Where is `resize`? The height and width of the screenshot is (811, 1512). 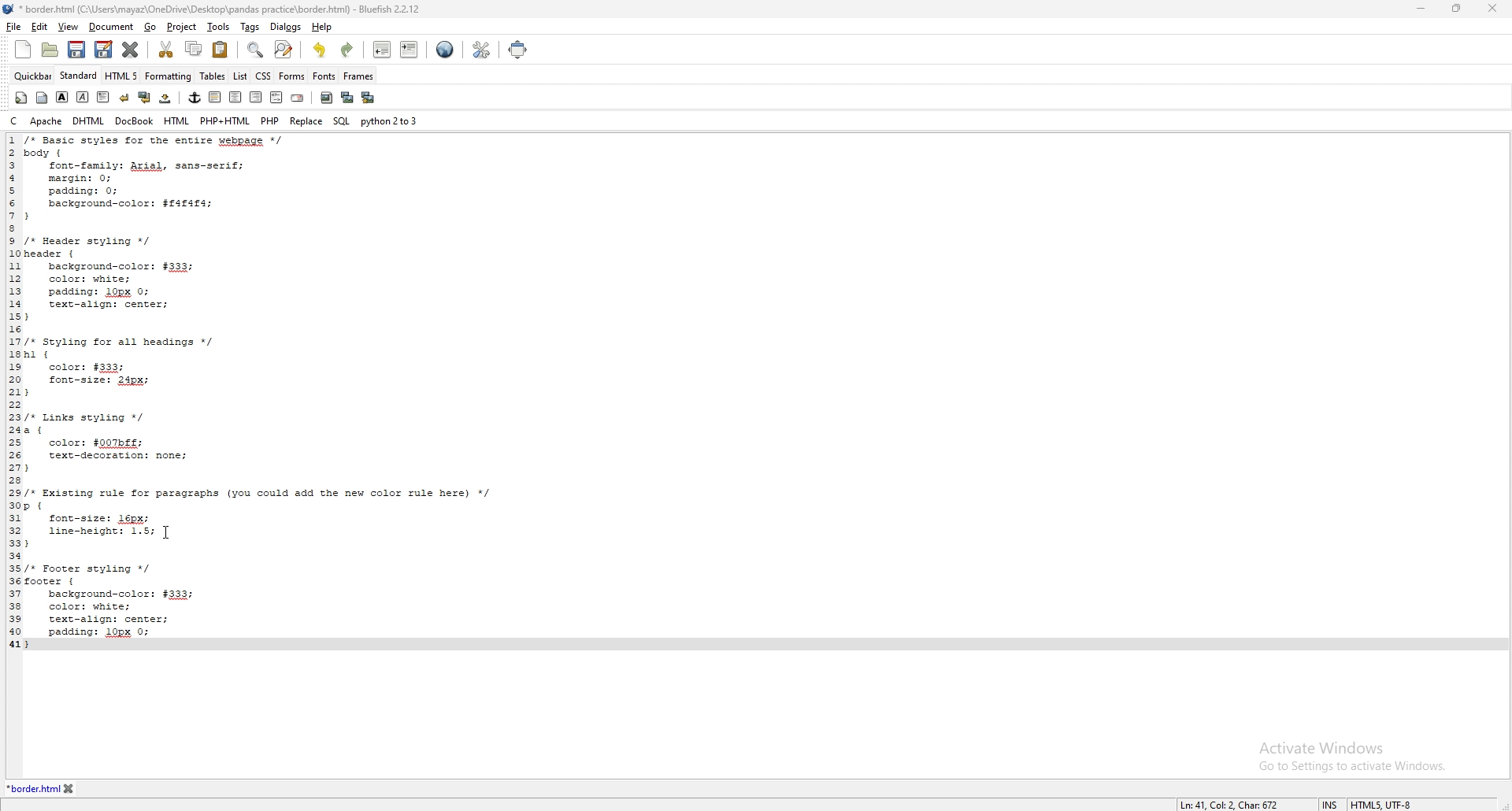
resize is located at coordinates (1457, 8).